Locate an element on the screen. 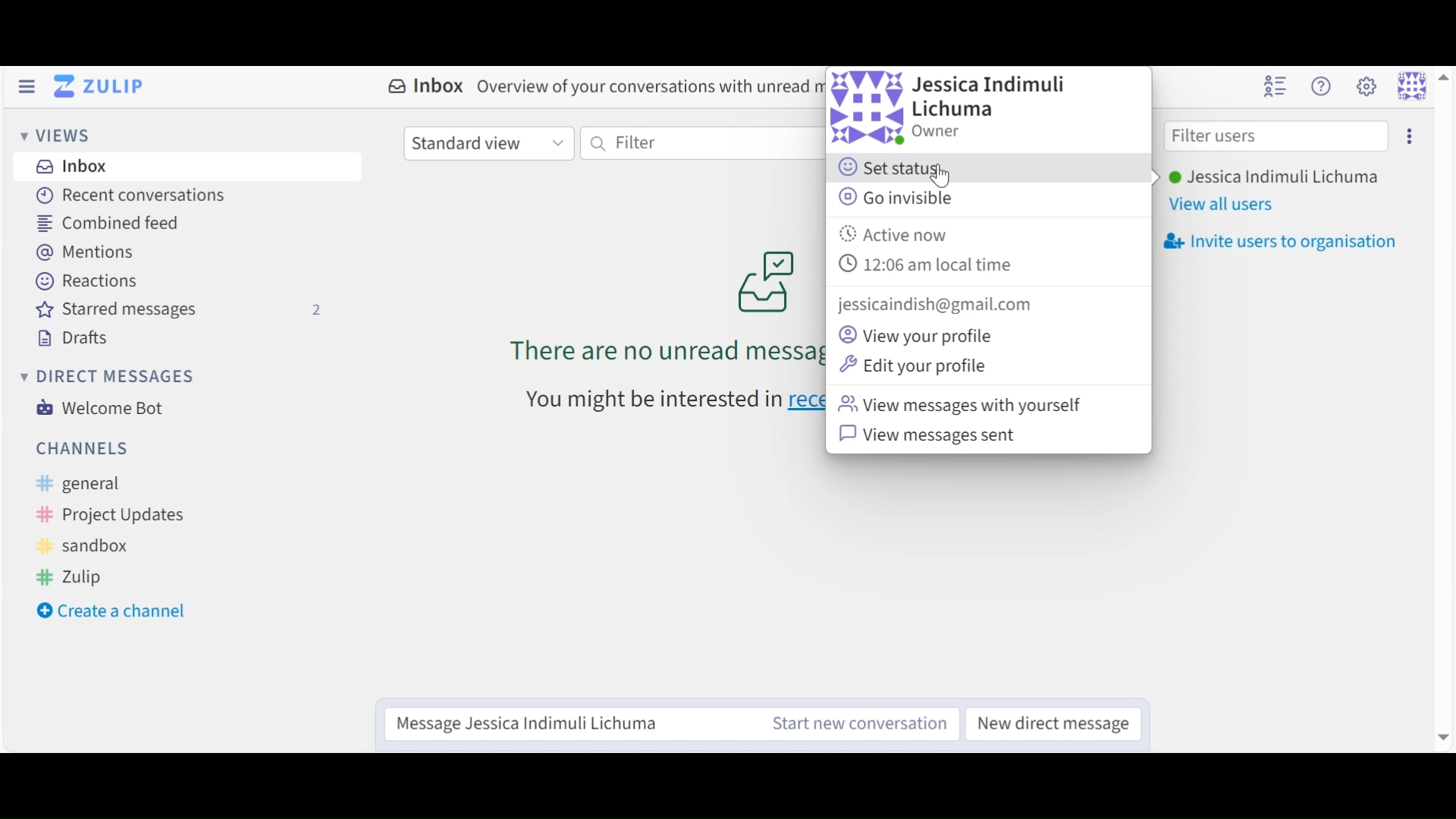 The height and width of the screenshot is (819, 1456). View messages to yourself is located at coordinates (968, 405).